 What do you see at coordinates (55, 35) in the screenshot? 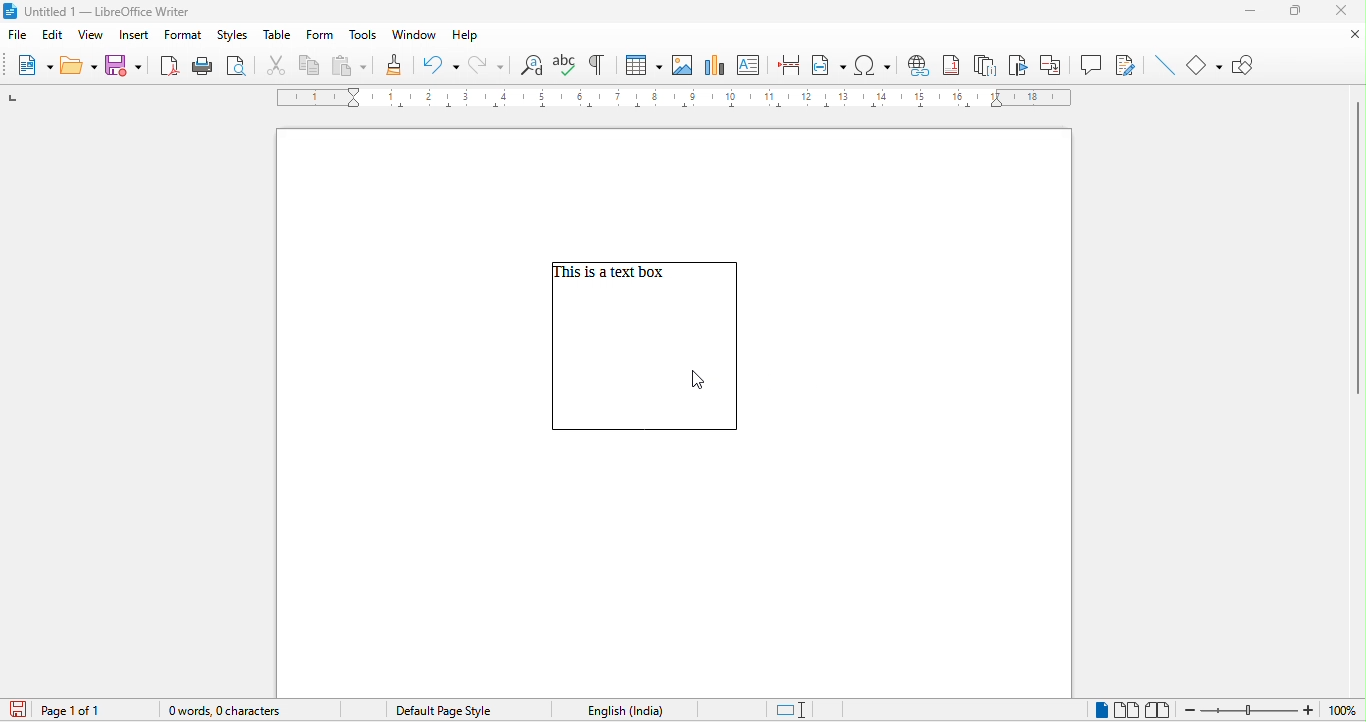
I see `edit` at bounding box center [55, 35].